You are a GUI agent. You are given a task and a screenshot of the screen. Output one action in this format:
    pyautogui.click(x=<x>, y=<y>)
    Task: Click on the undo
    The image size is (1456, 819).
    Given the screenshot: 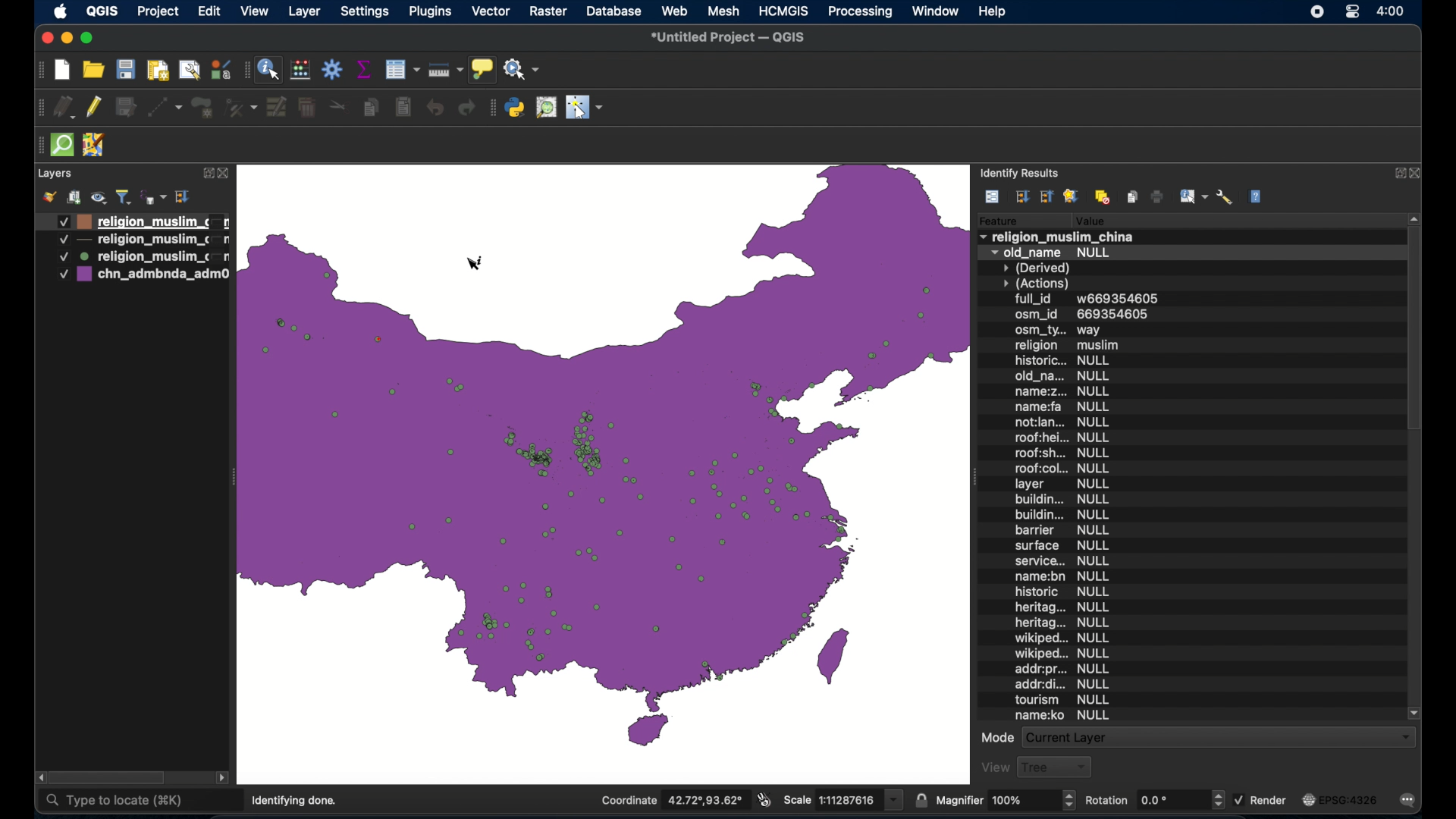 What is the action you would take?
    pyautogui.click(x=438, y=110)
    